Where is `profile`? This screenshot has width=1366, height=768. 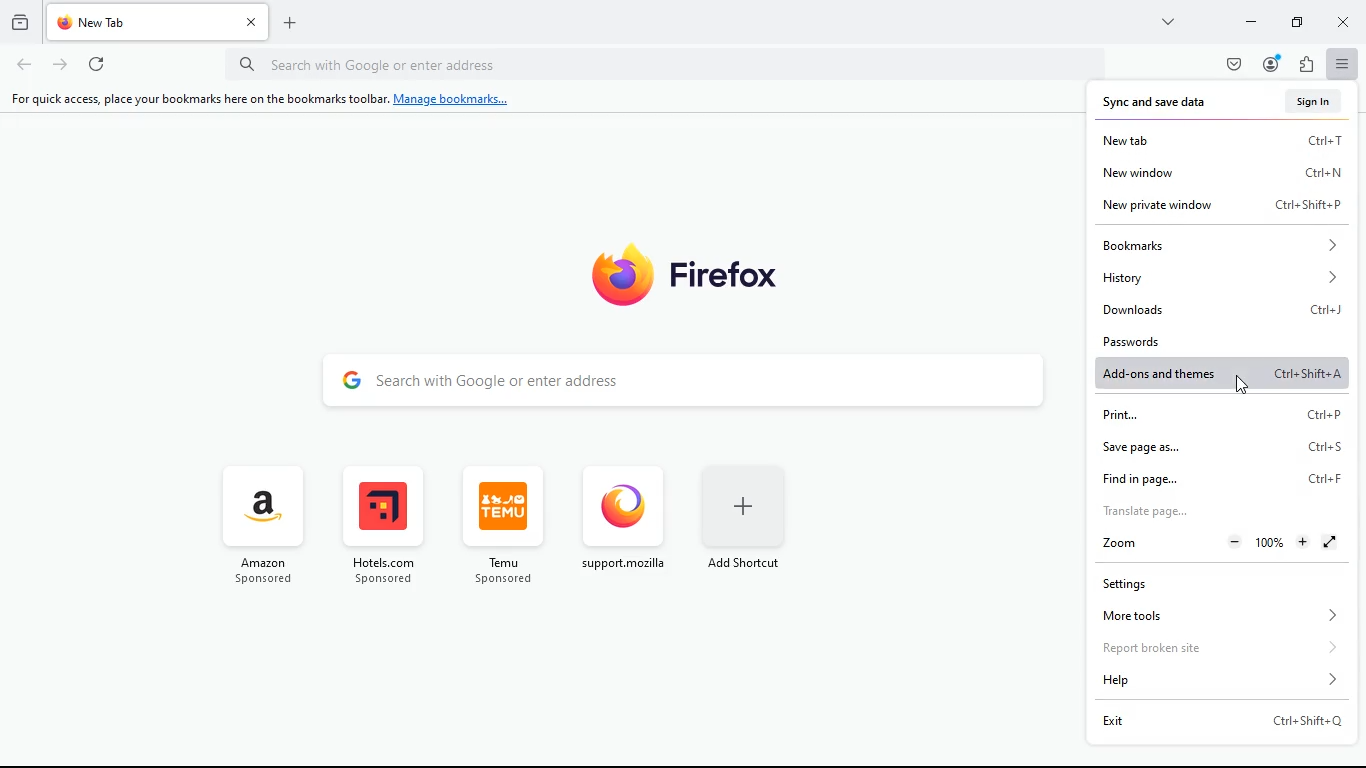
profile is located at coordinates (1269, 64).